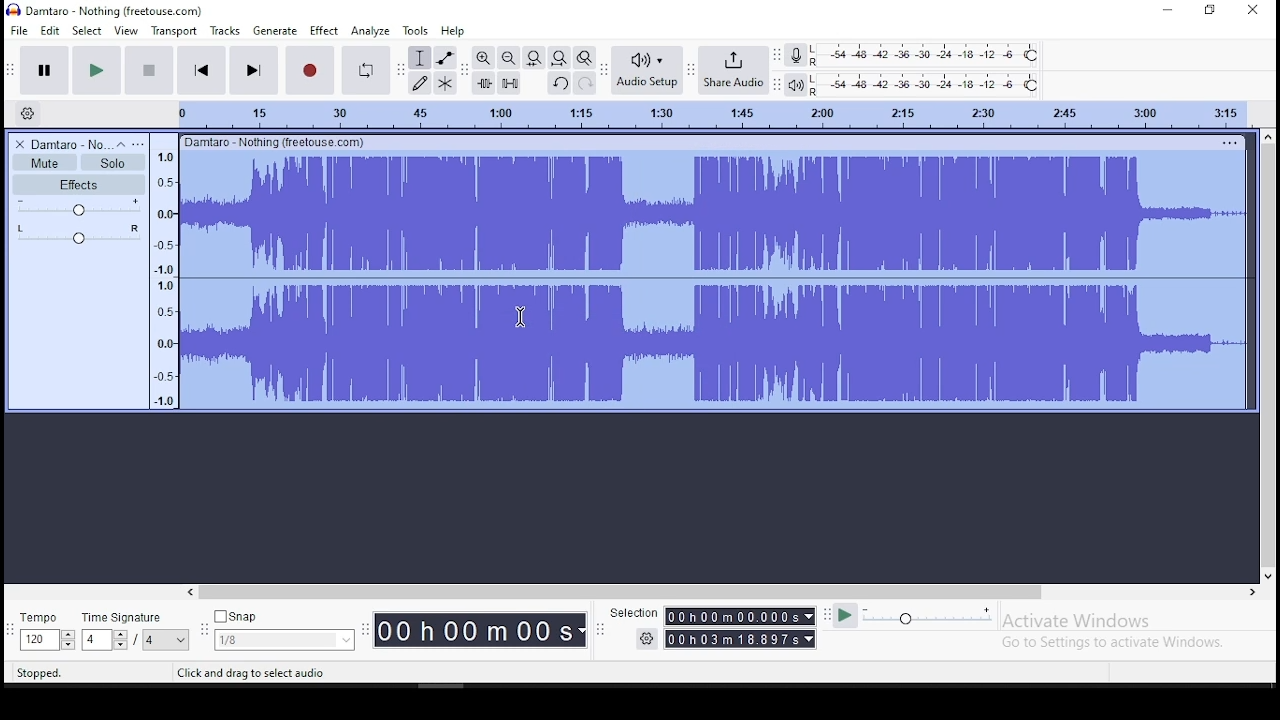 Image resolution: width=1280 pixels, height=720 pixels. What do you see at coordinates (252, 69) in the screenshot?
I see `skip to end` at bounding box center [252, 69].